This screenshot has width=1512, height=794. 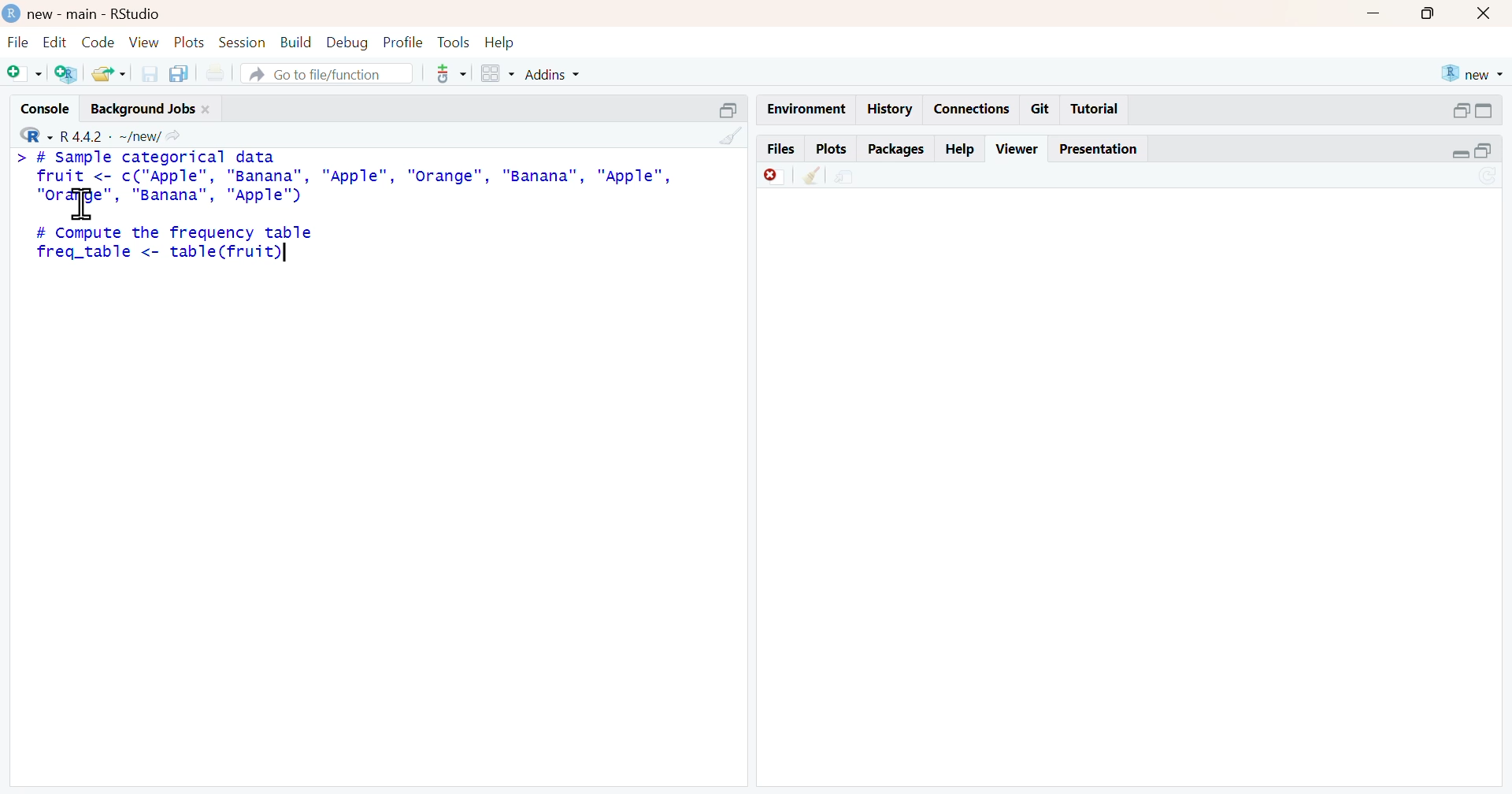 I want to click on debug, so click(x=348, y=43).